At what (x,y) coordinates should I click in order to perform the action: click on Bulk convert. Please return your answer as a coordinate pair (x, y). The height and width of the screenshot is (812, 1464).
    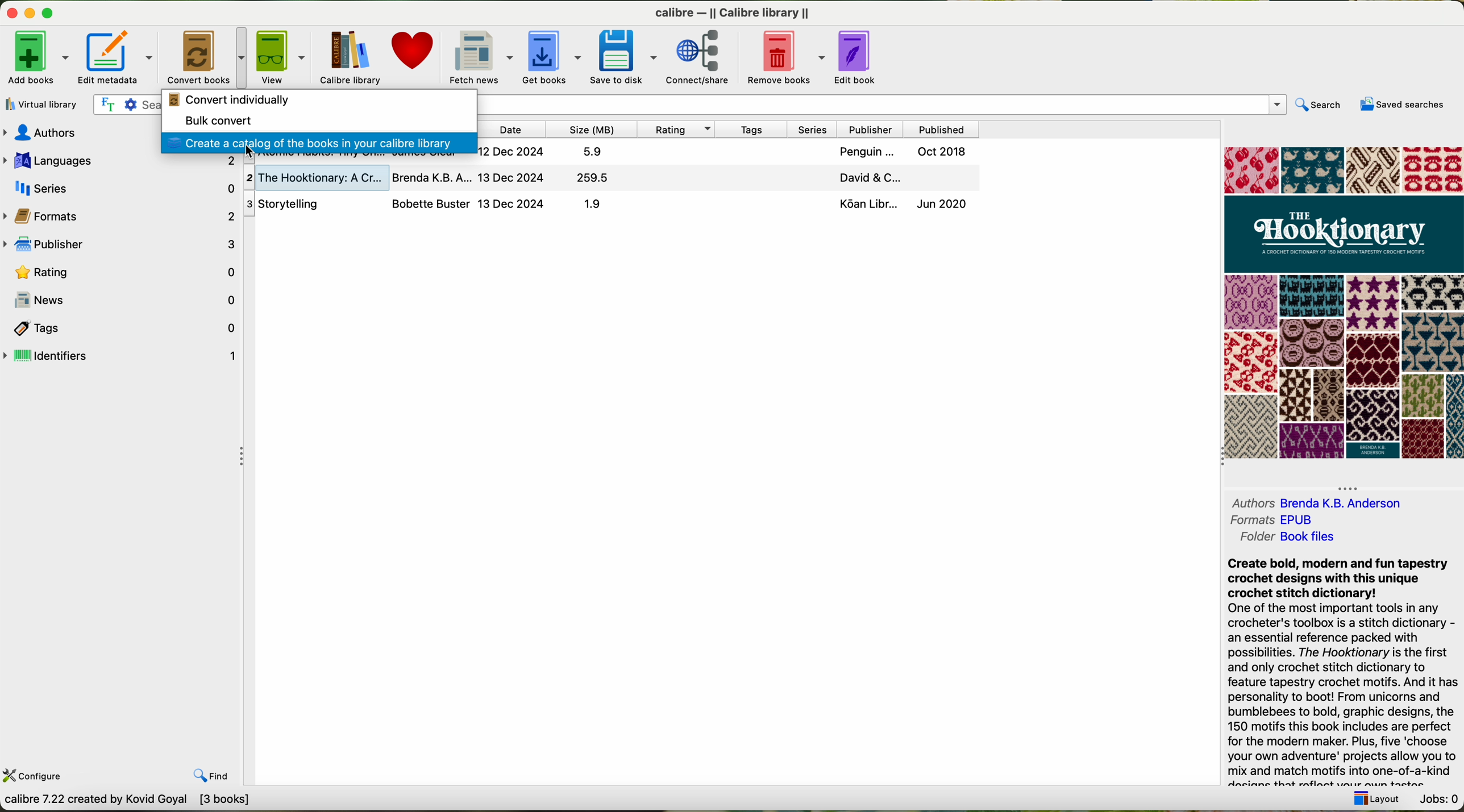
    Looking at the image, I should click on (219, 119).